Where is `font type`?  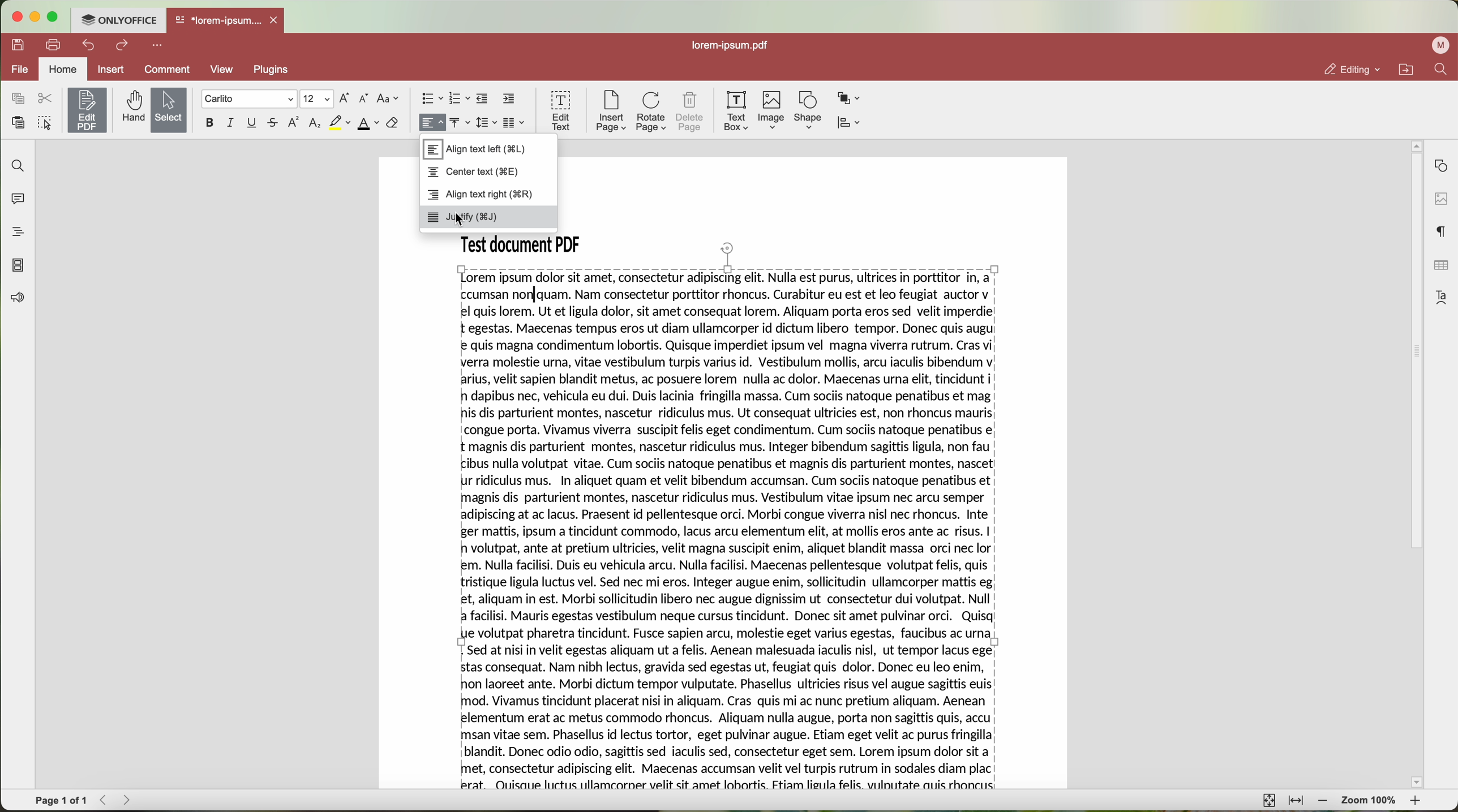
font type is located at coordinates (248, 99).